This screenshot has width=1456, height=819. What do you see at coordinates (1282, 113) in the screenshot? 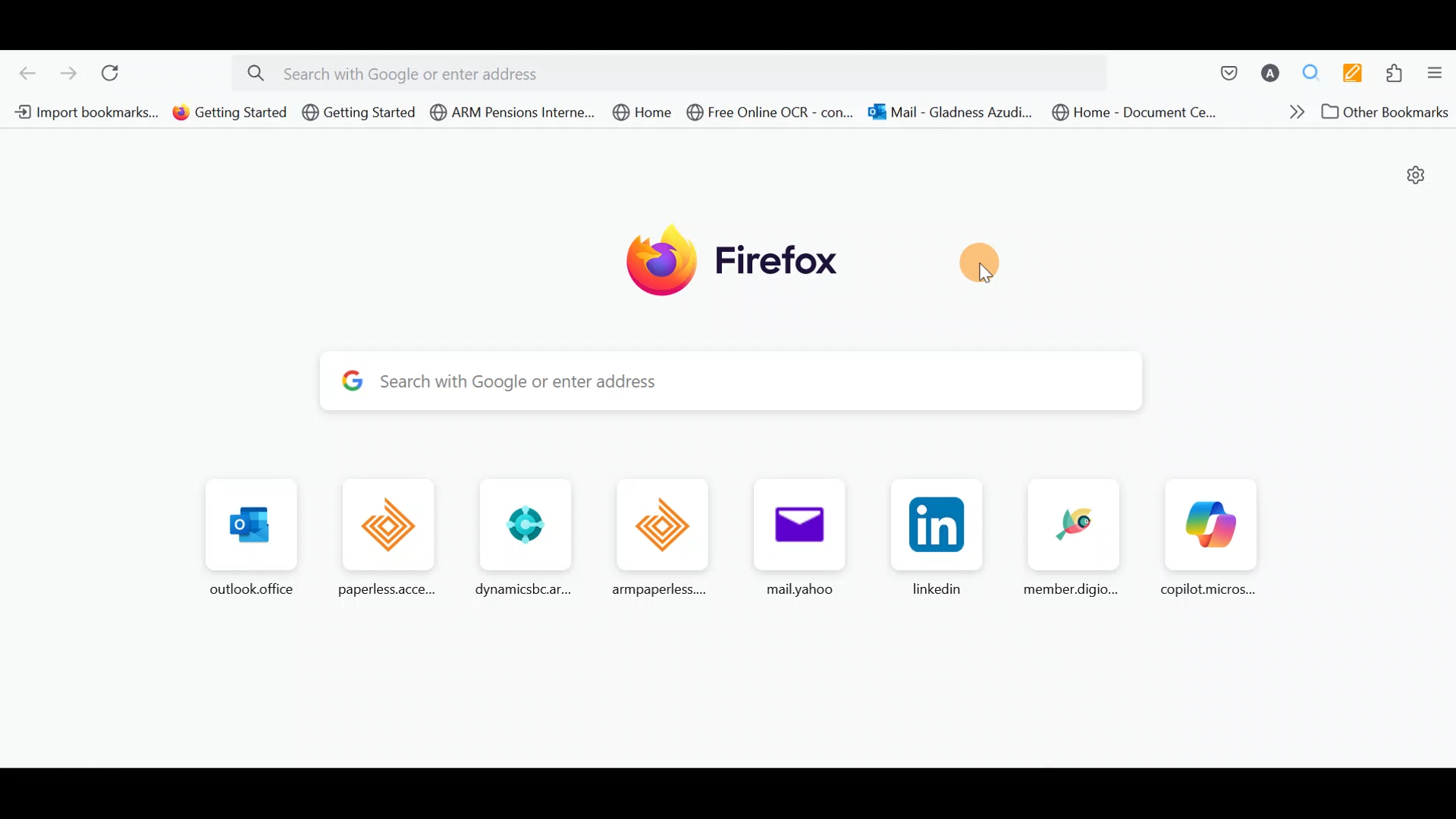
I see `Show more bookmarks` at bounding box center [1282, 113].